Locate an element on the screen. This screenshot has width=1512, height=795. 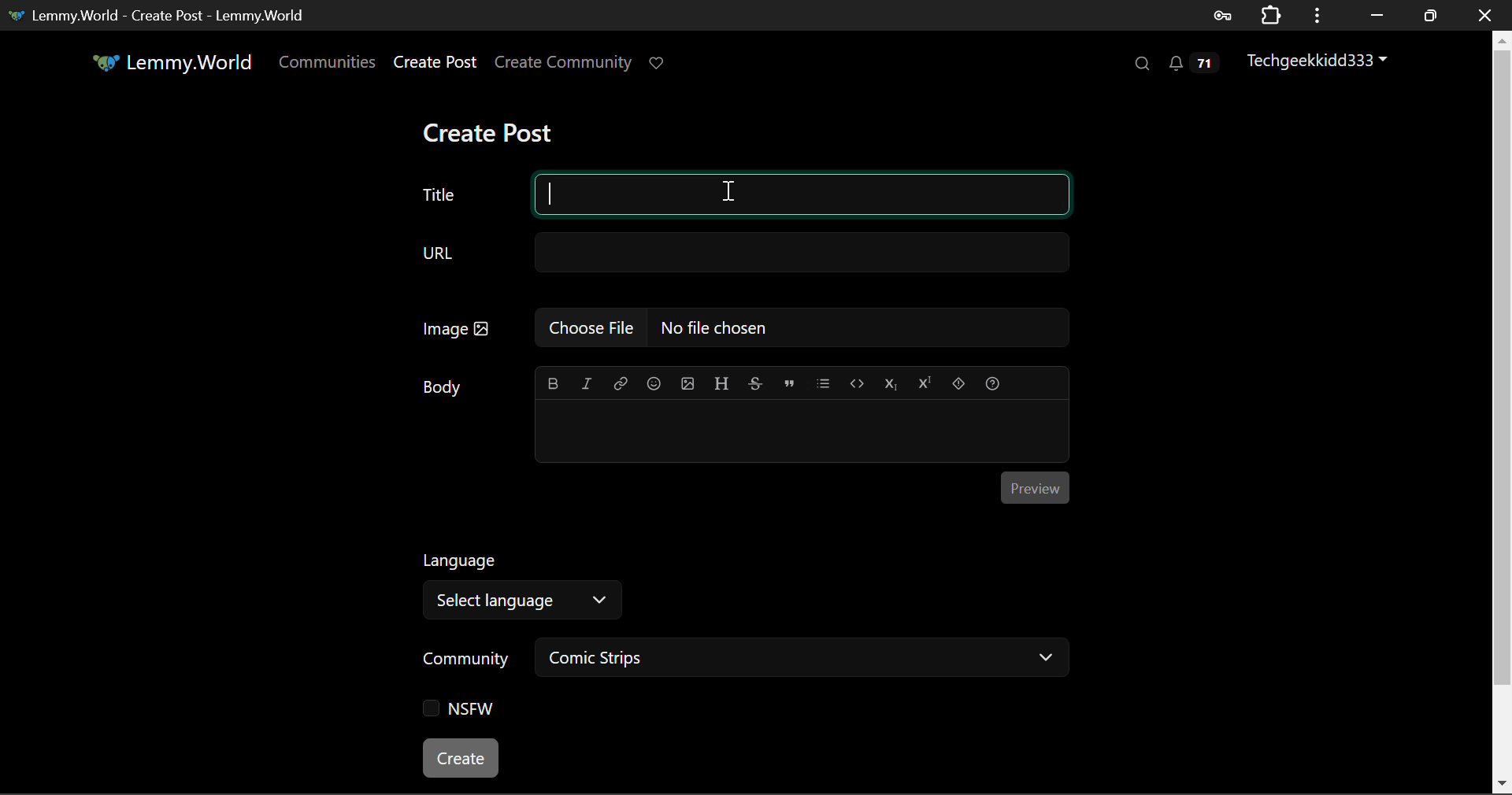
NSFW is located at coordinates (459, 708).